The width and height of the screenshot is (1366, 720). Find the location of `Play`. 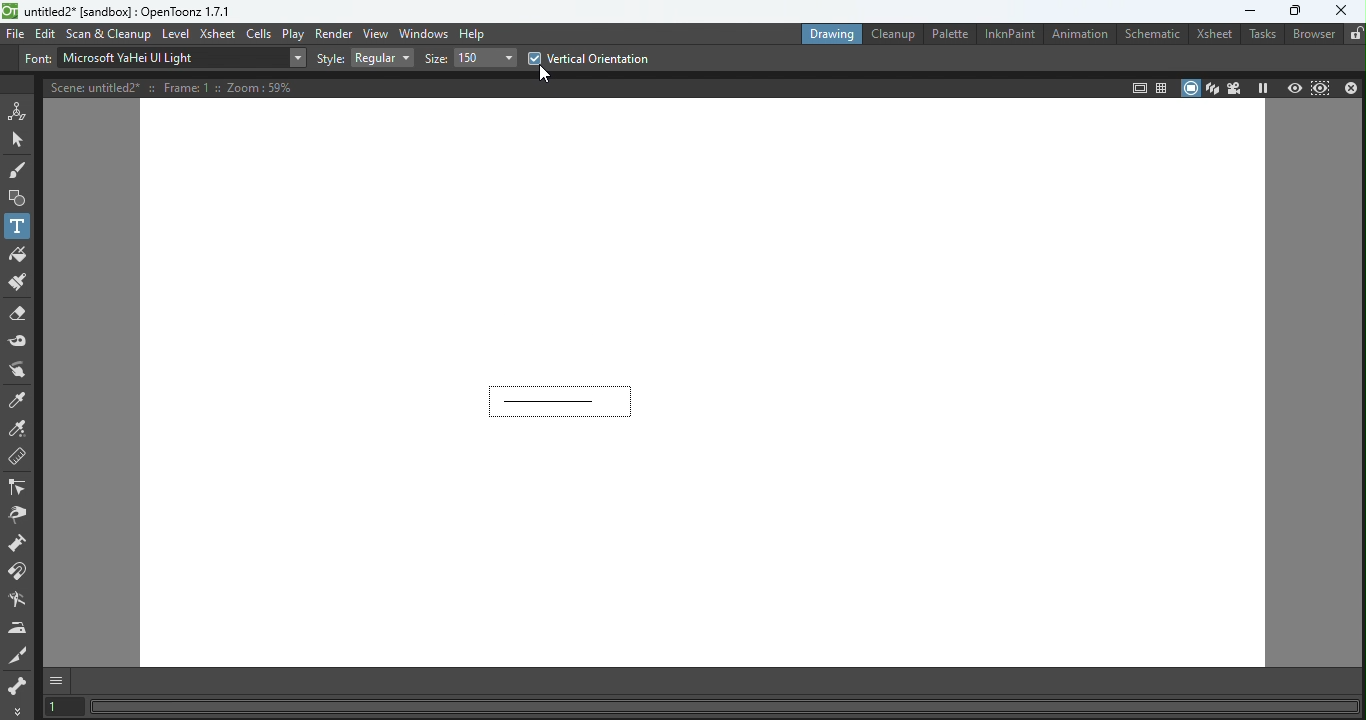

Play is located at coordinates (293, 33).